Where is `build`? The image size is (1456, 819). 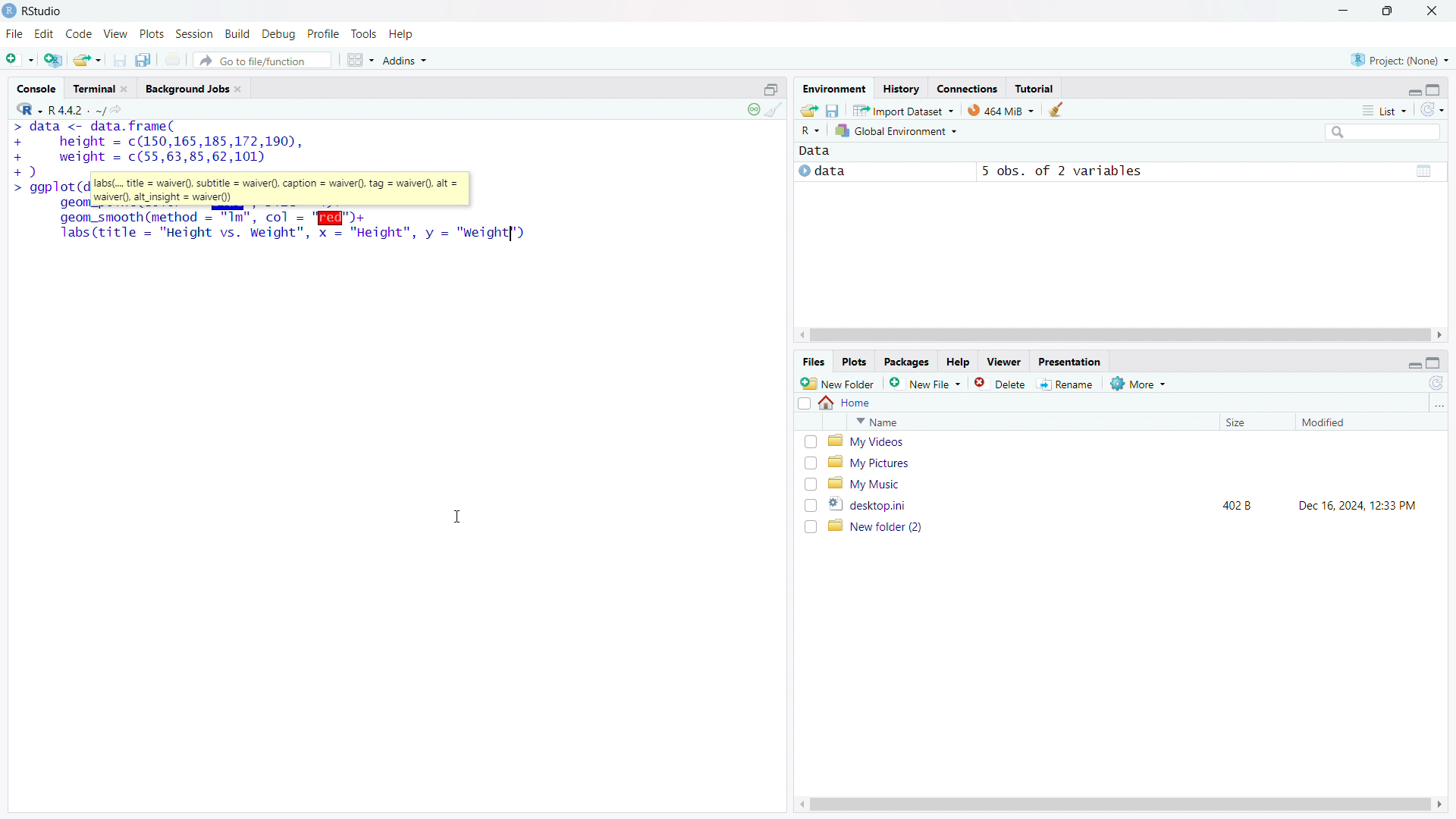
build is located at coordinates (239, 33).